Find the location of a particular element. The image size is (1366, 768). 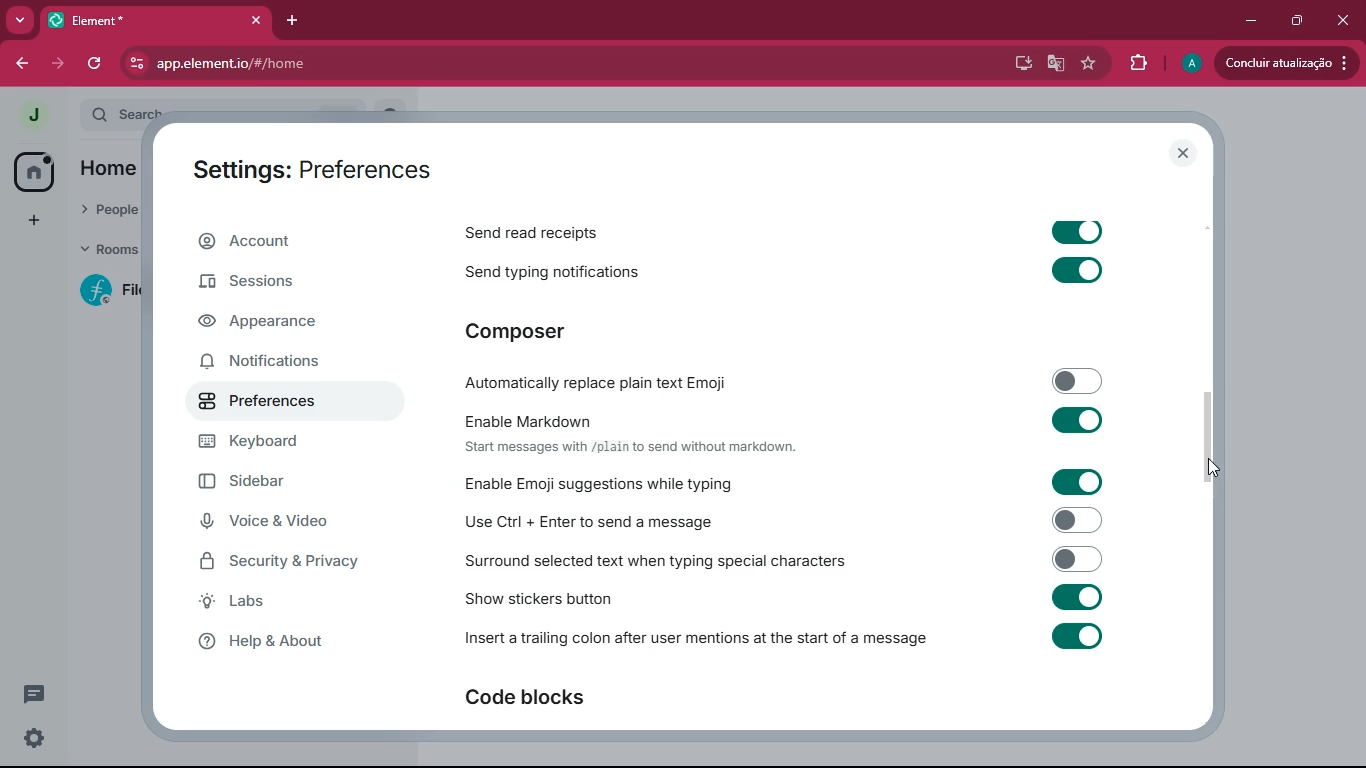

forward is located at coordinates (61, 64).